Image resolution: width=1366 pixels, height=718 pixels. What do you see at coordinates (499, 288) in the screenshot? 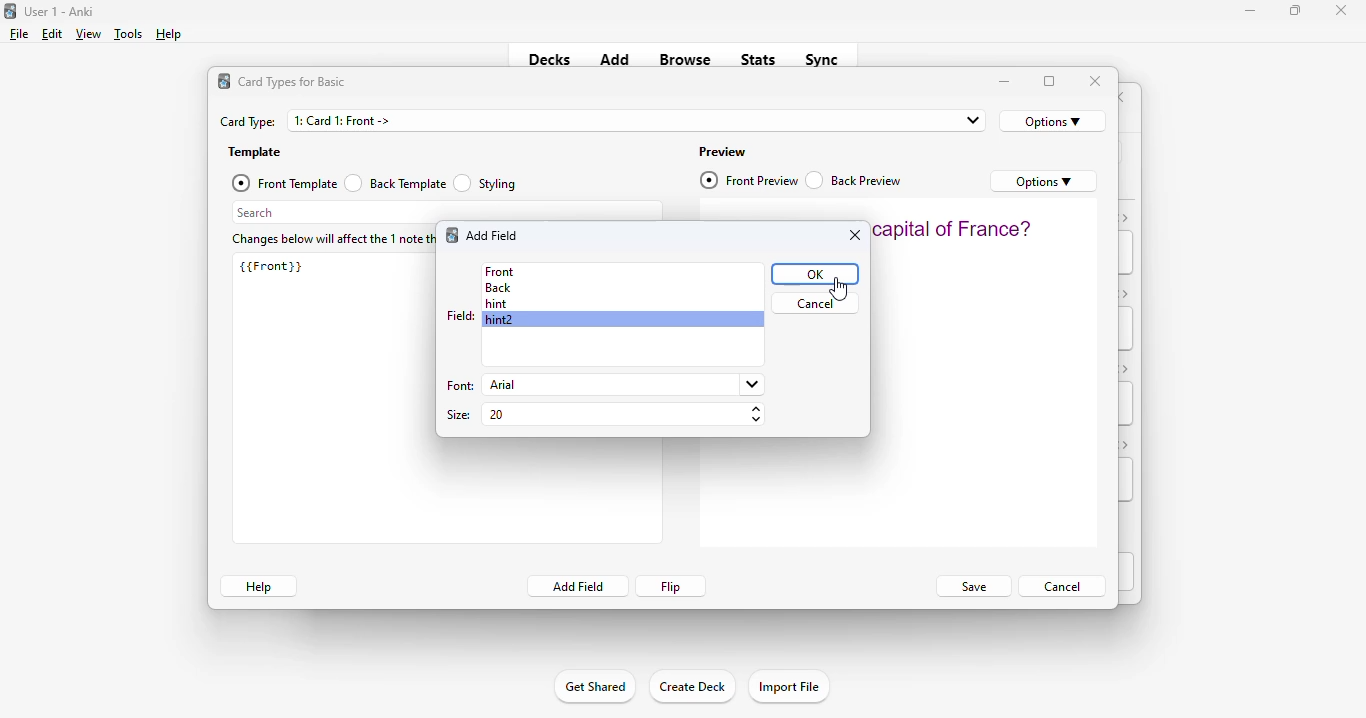
I see `back` at bounding box center [499, 288].